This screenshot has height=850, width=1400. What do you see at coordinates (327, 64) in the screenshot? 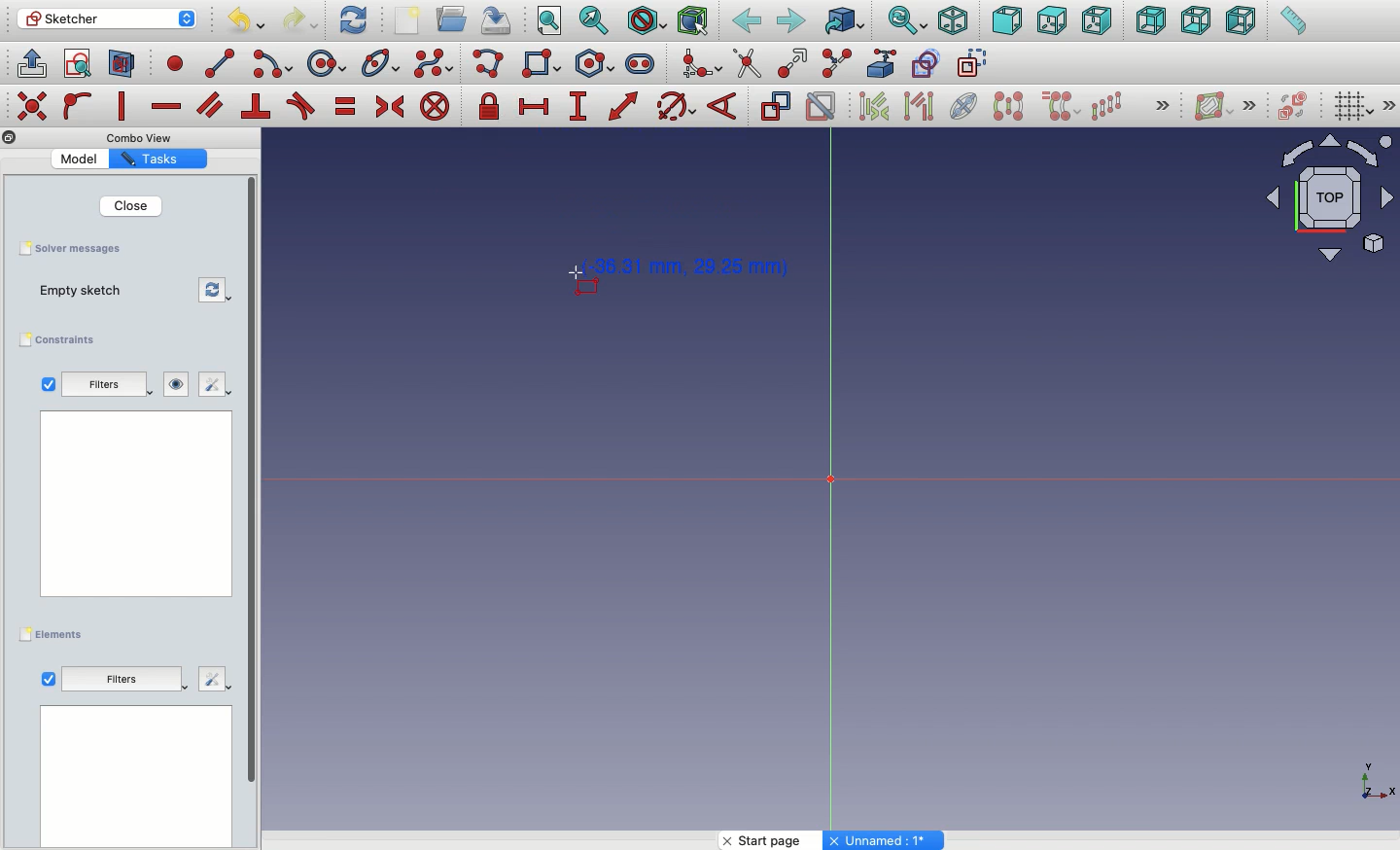
I see `circle` at bounding box center [327, 64].